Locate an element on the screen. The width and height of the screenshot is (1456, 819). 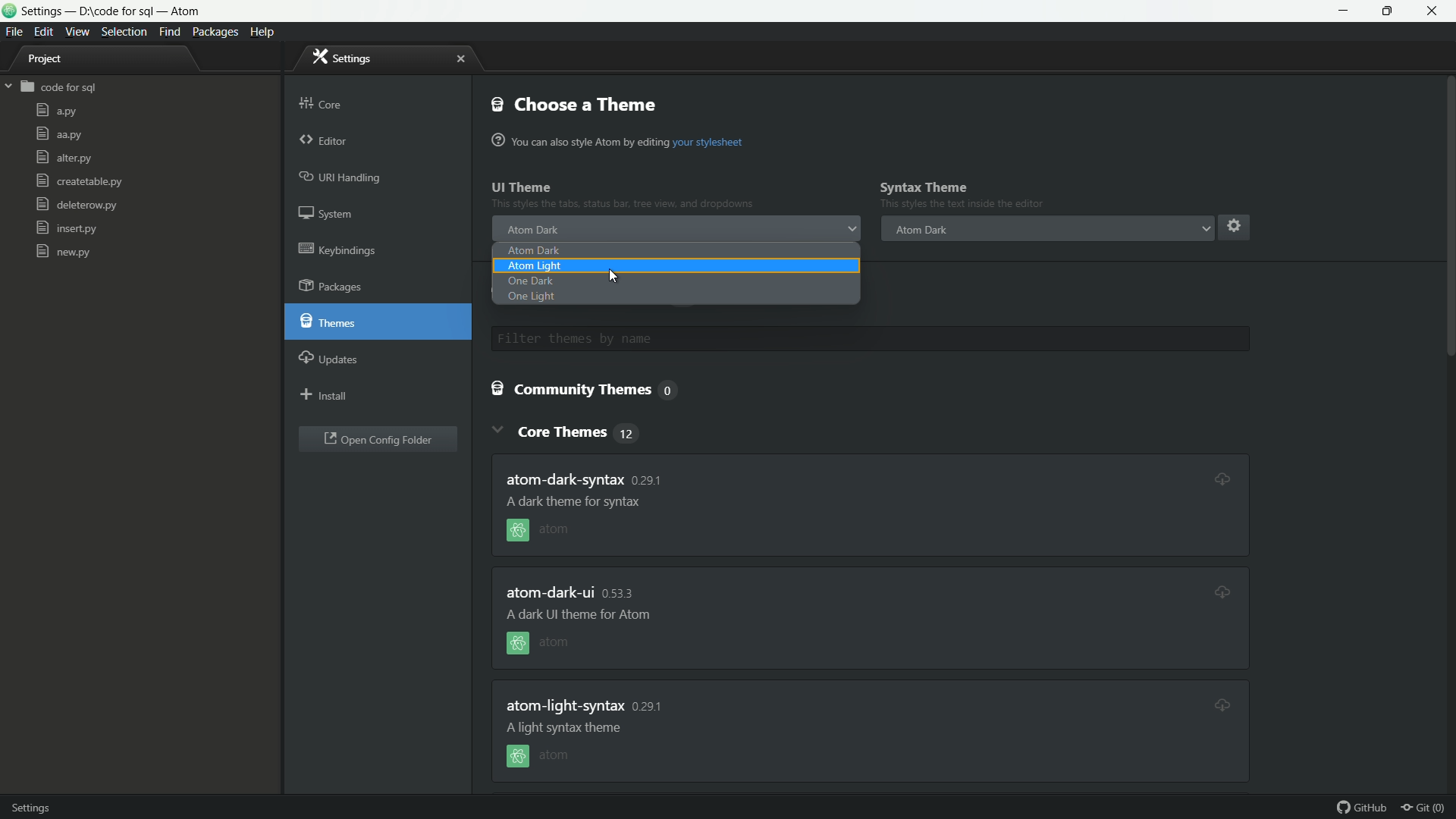
editor is located at coordinates (324, 142).